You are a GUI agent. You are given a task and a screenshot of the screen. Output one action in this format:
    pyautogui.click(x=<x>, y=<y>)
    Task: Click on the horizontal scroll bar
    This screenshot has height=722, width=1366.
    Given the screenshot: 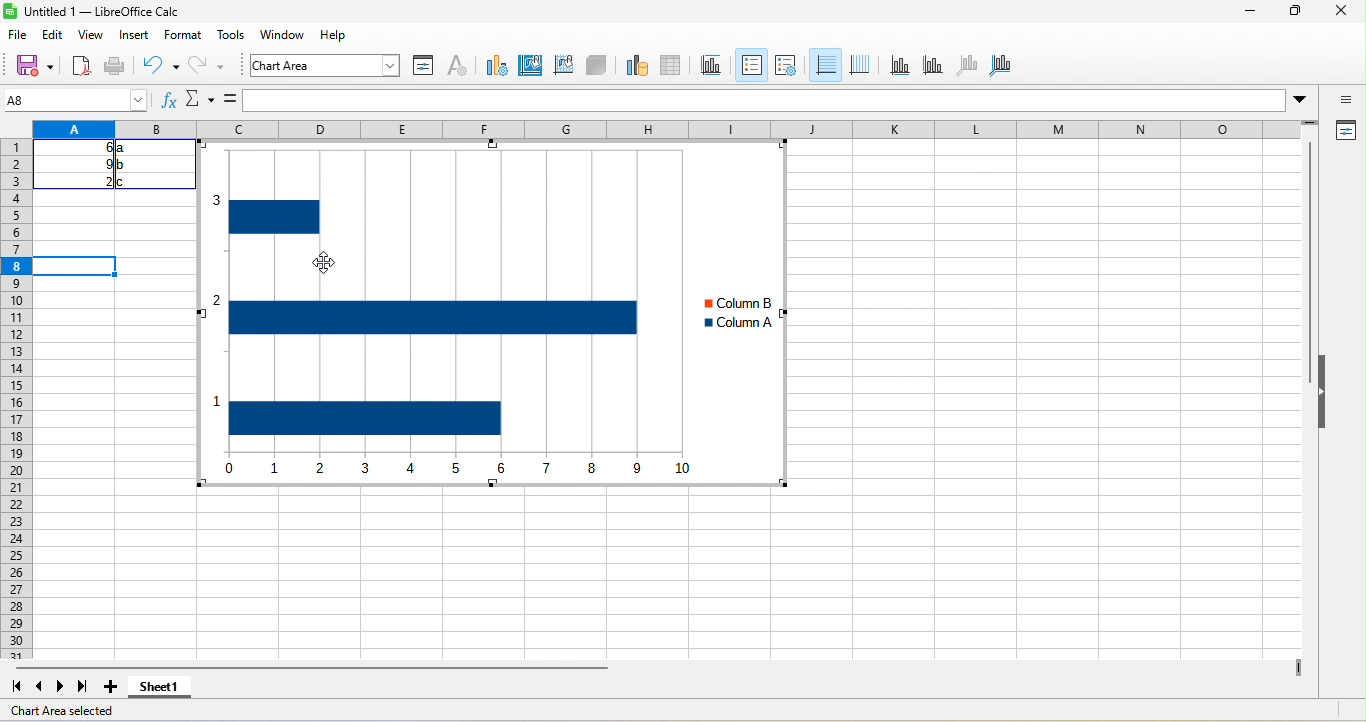 What is the action you would take?
    pyautogui.click(x=326, y=667)
    